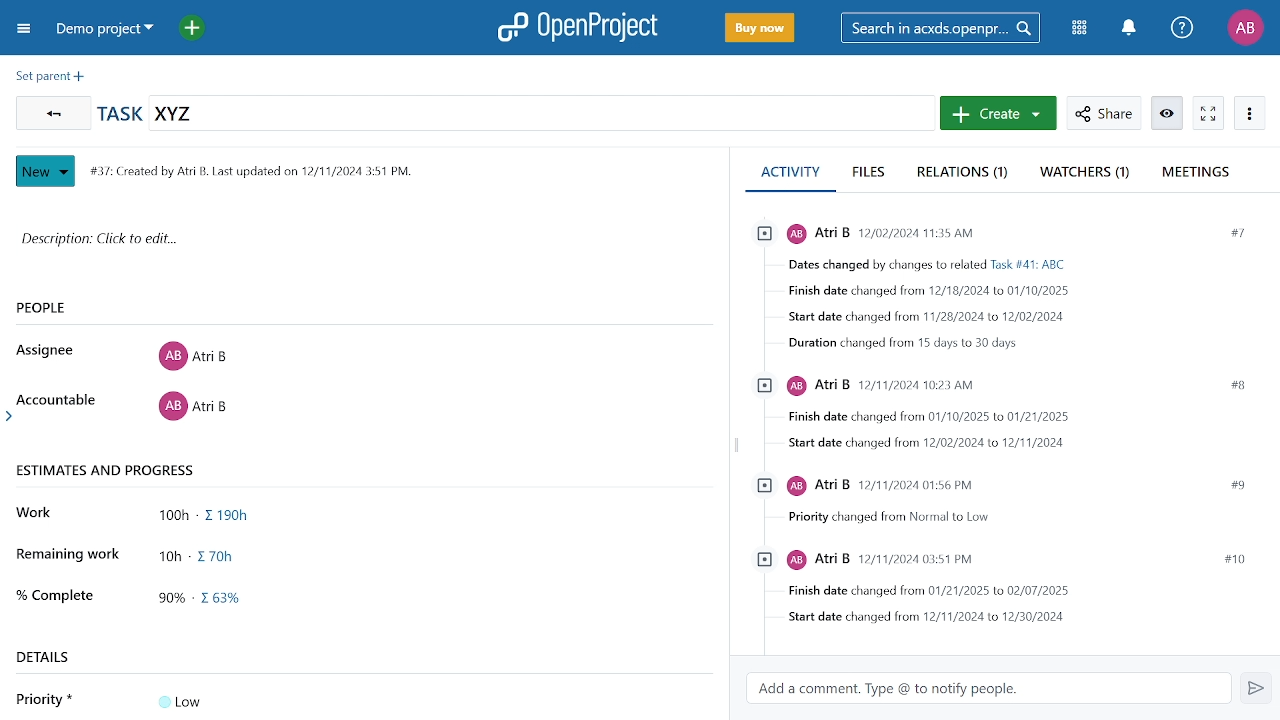 The height and width of the screenshot is (720, 1280). What do you see at coordinates (198, 703) in the screenshot?
I see `Low` at bounding box center [198, 703].